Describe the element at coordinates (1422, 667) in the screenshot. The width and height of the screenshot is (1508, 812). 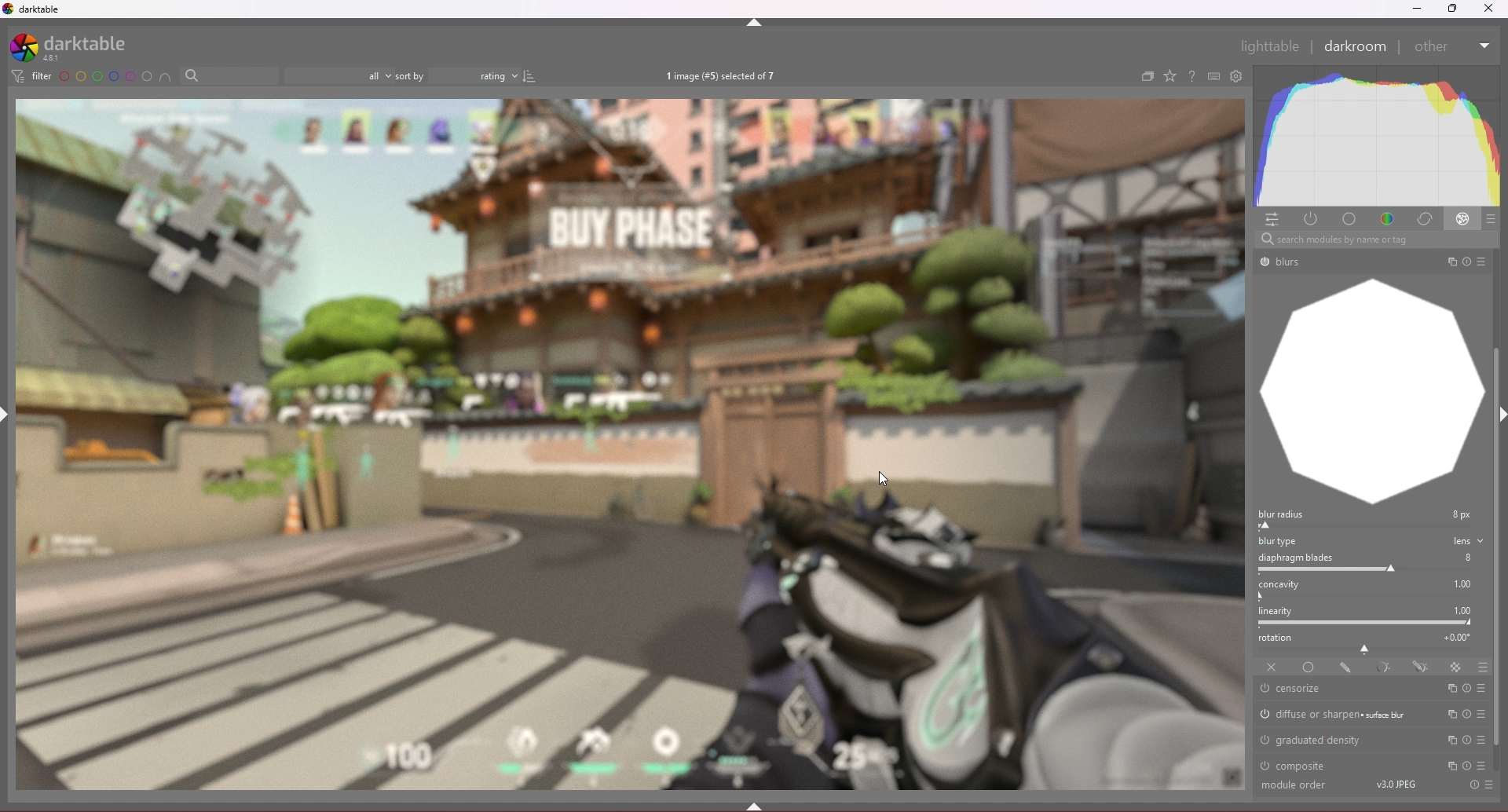
I see `drawn and parametric mask` at that location.